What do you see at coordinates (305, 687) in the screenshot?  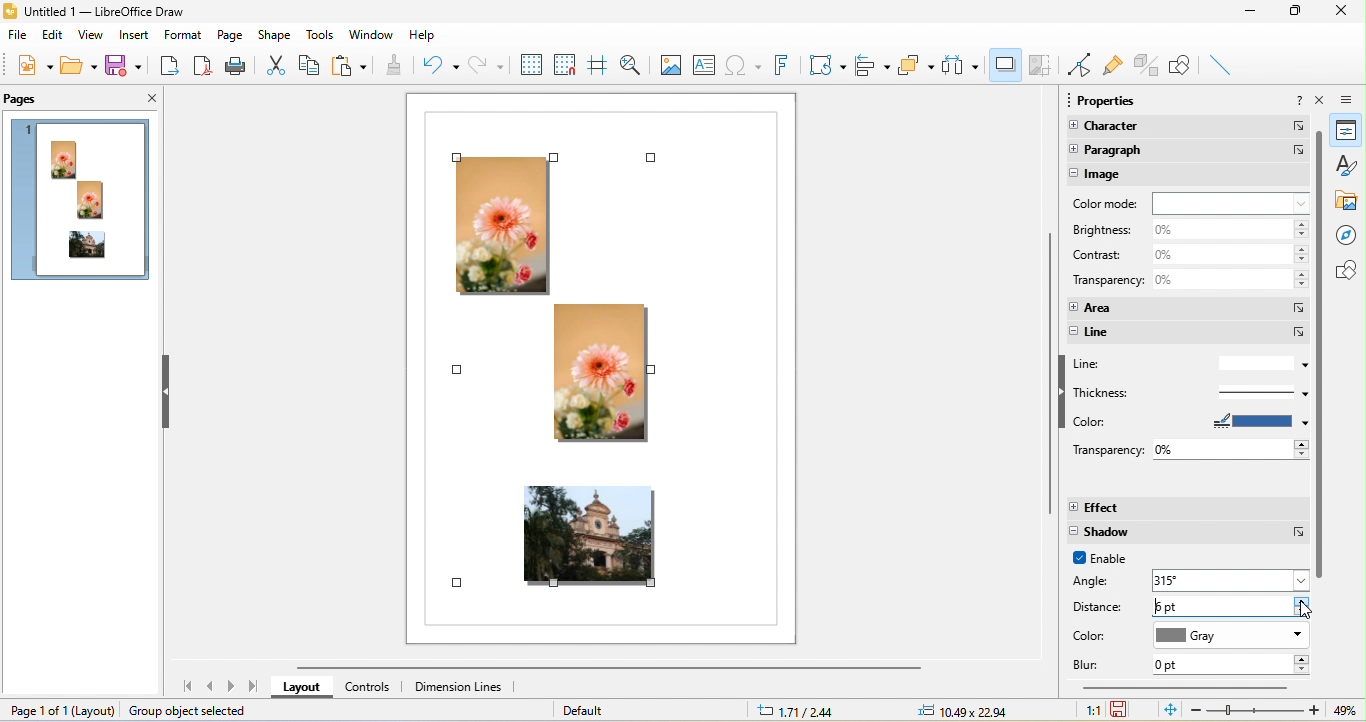 I see `layout` at bounding box center [305, 687].